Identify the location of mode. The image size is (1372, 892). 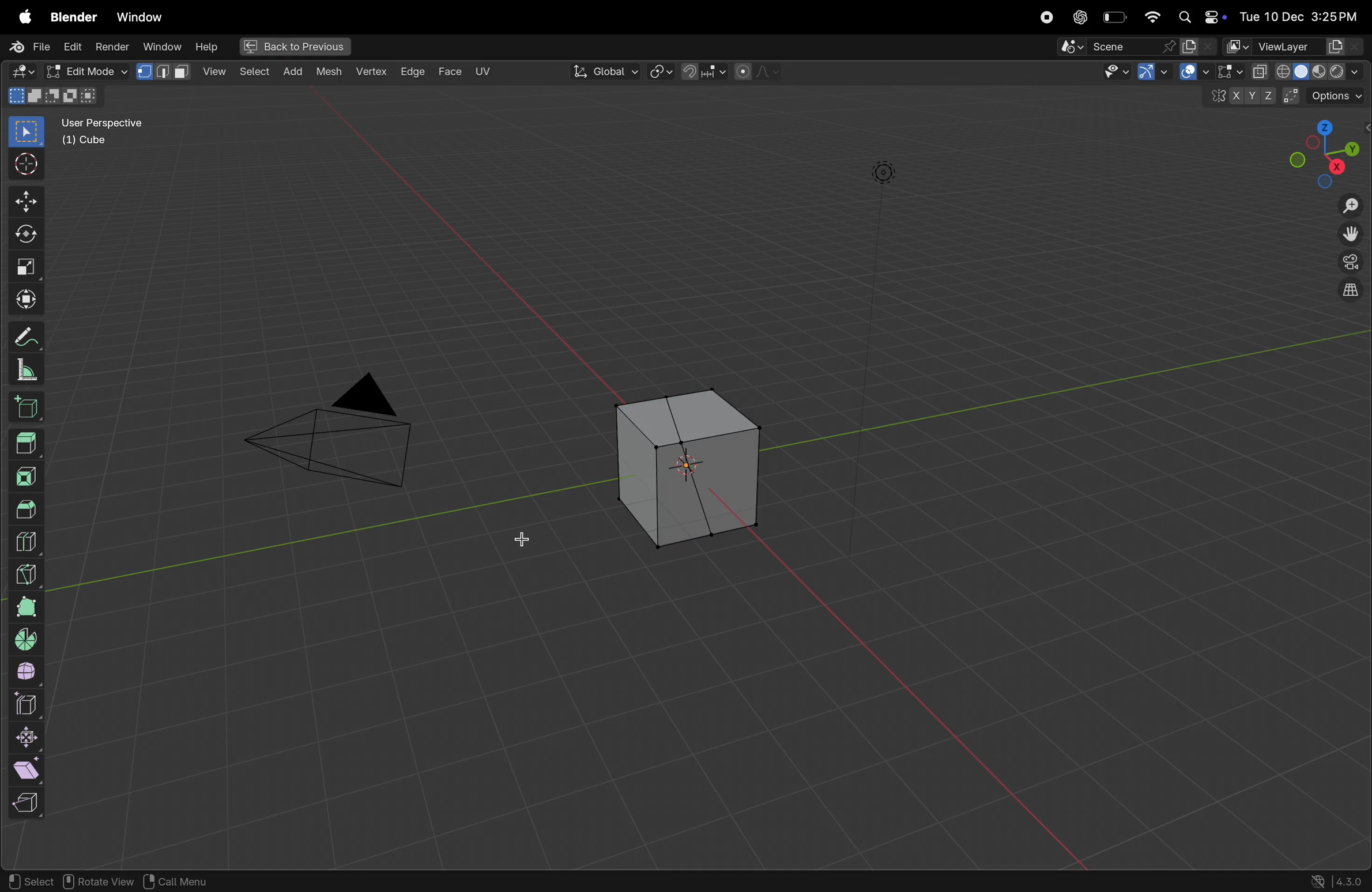
(55, 96).